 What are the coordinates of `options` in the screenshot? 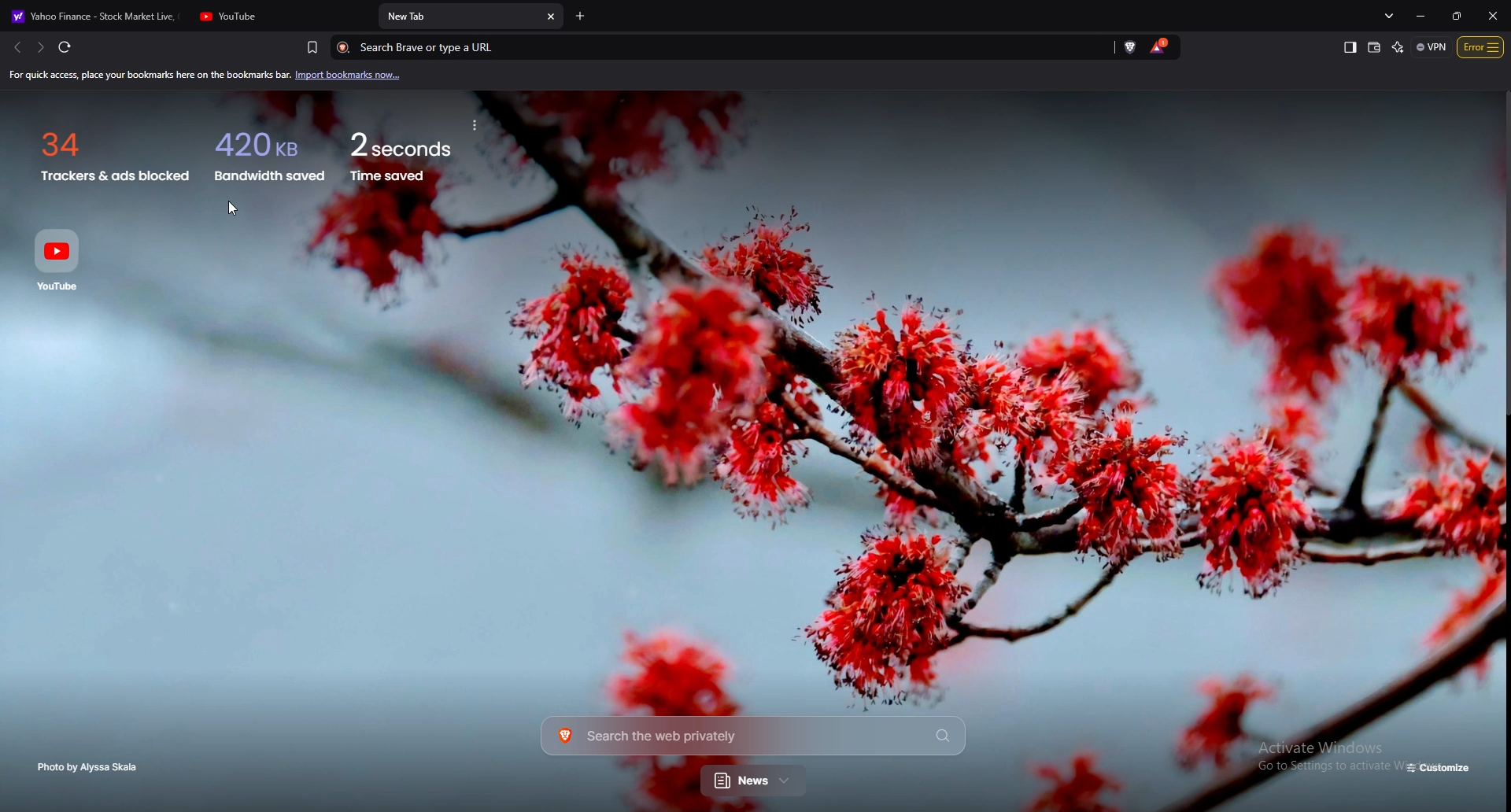 It's located at (1481, 46).